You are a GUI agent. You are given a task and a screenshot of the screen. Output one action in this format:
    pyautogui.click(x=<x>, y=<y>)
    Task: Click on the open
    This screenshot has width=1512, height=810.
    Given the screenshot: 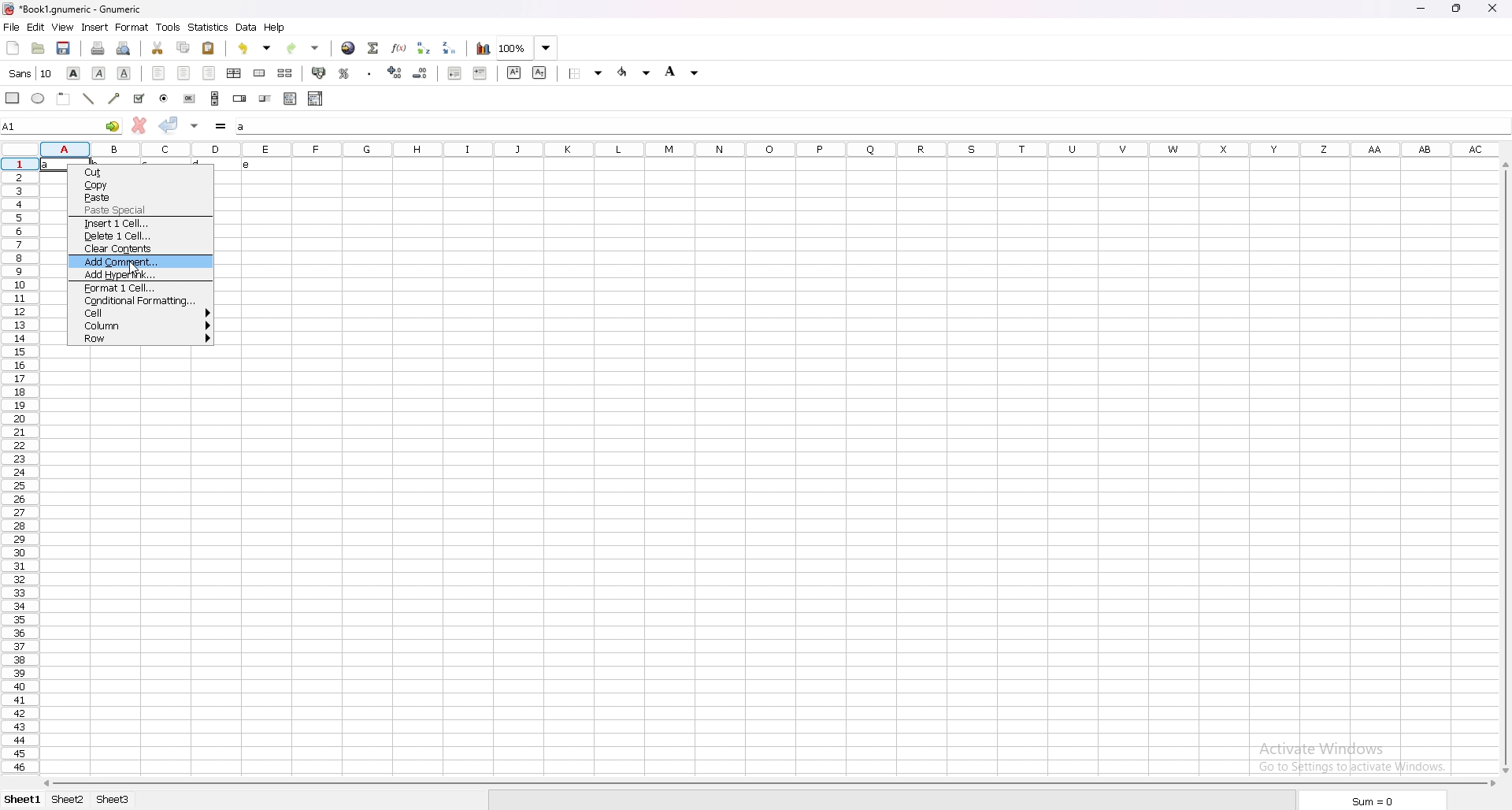 What is the action you would take?
    pyautogui.click(x=39, y=48)
    